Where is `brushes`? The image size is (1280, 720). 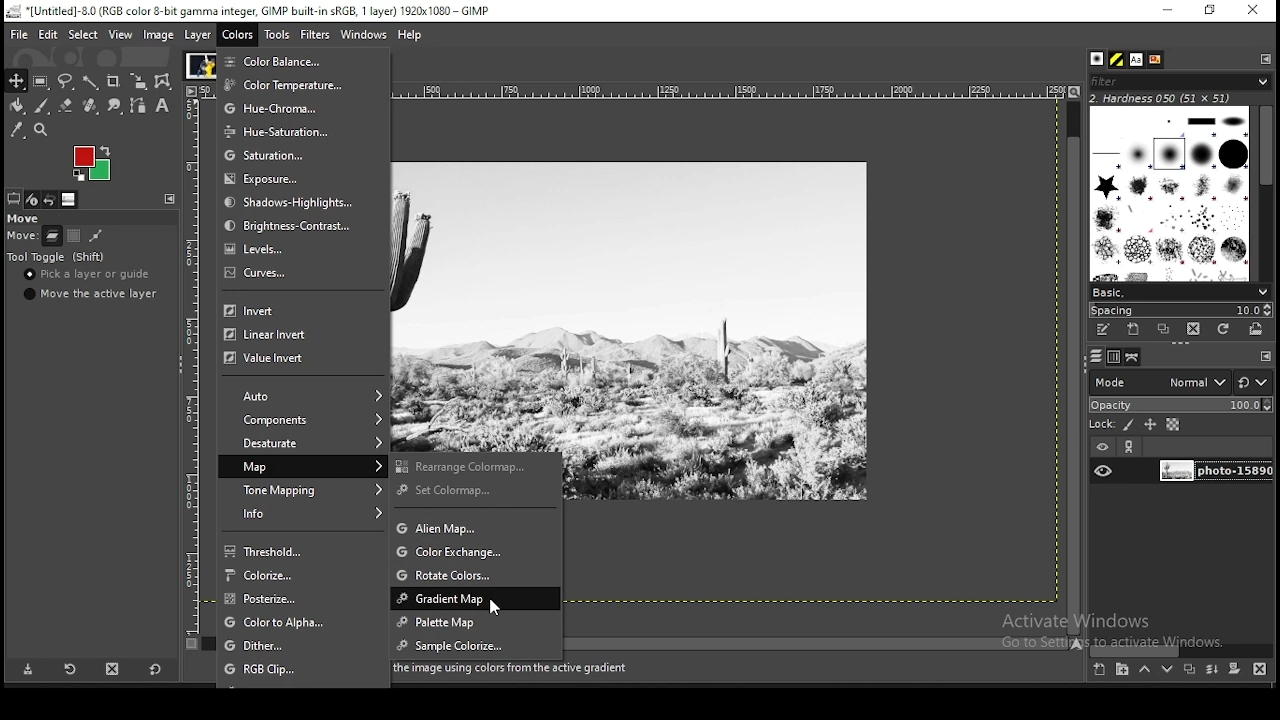
brushes is located at coordinates (1099, 59).